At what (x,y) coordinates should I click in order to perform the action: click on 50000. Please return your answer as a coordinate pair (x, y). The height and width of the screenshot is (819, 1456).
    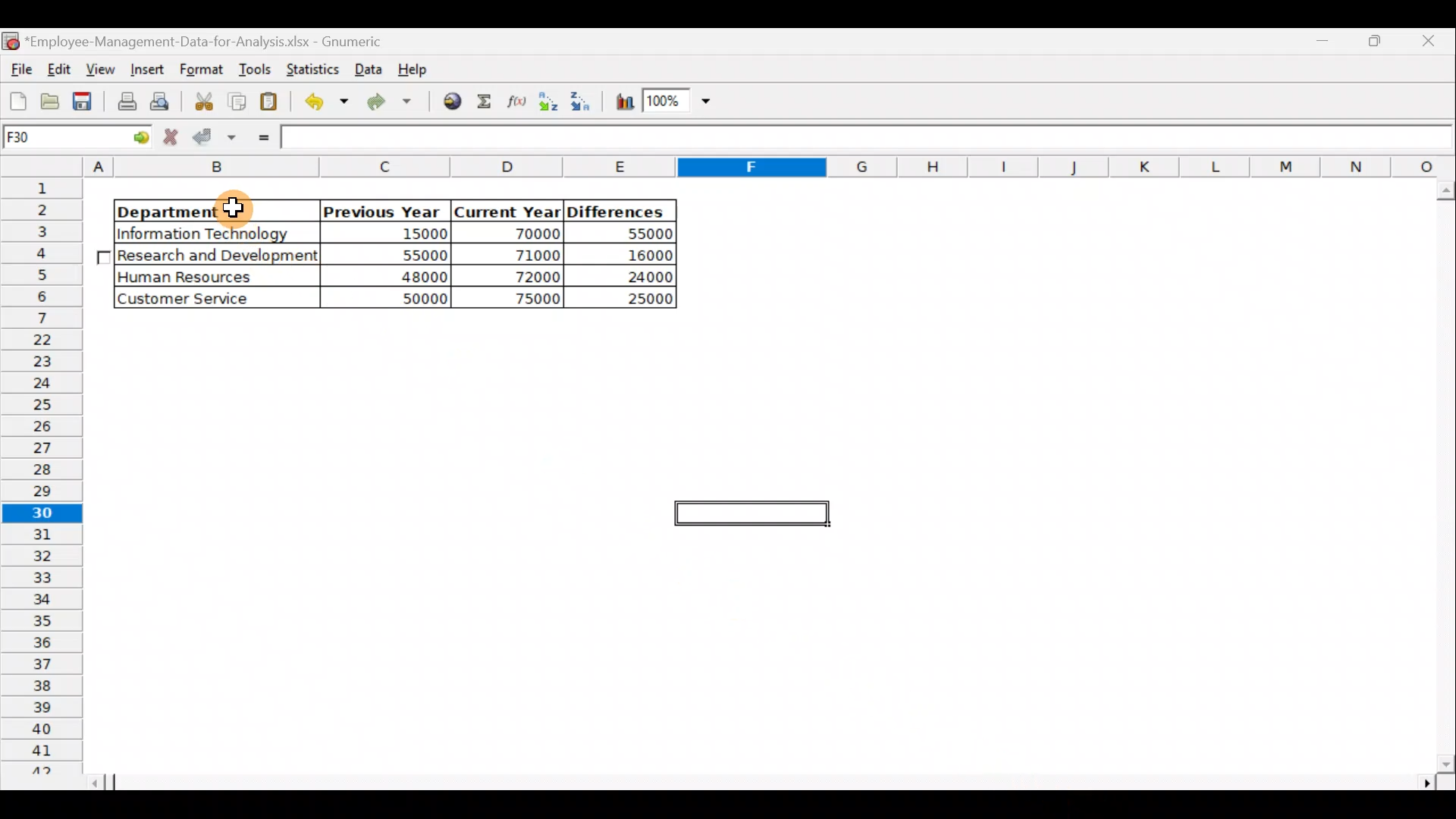
    Looking at the image, I should click on (397, 297).